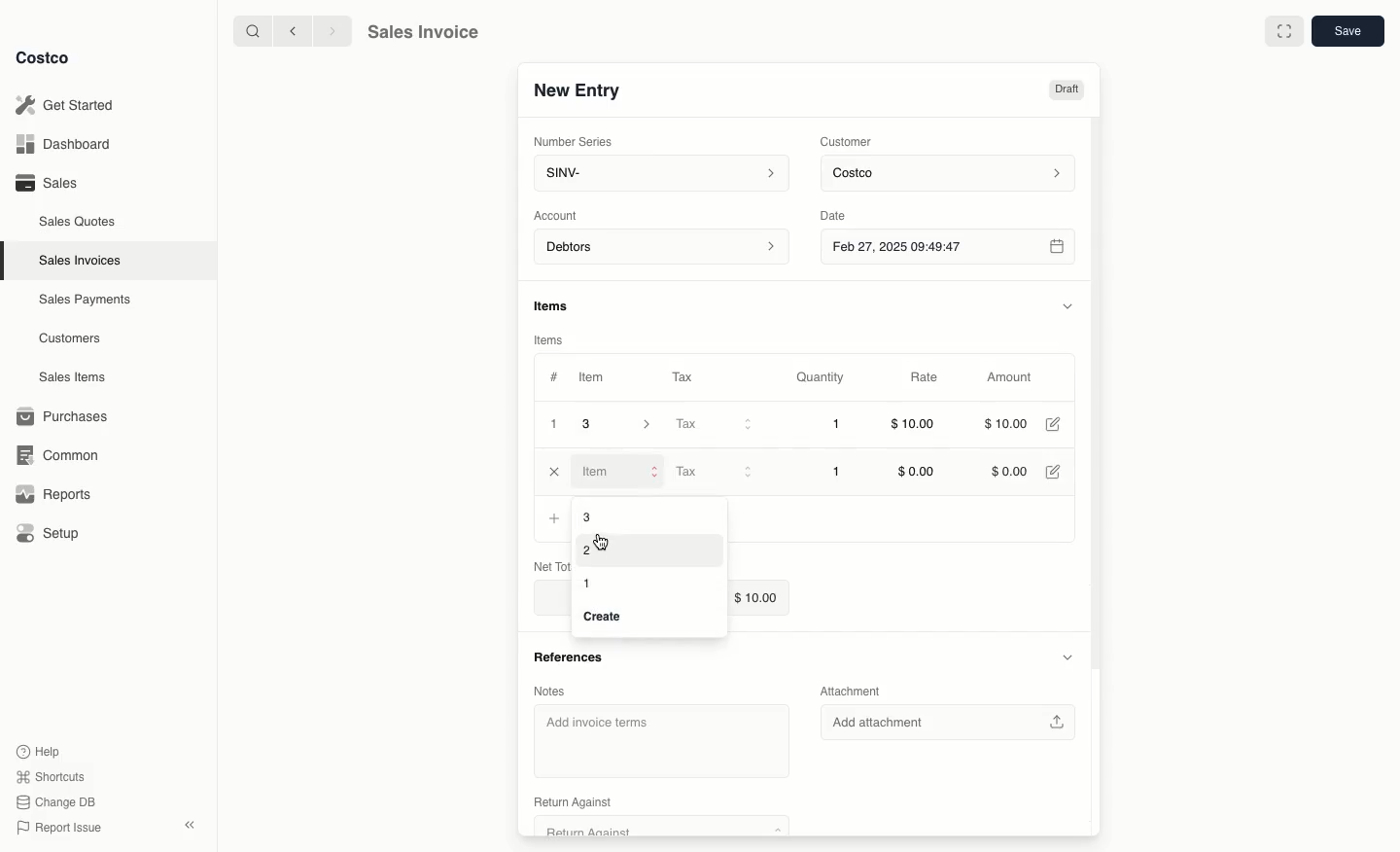  What do you see at coordinates (44, 58) in the screenshot?
I see `Costco` at bounding box center [44, 58].